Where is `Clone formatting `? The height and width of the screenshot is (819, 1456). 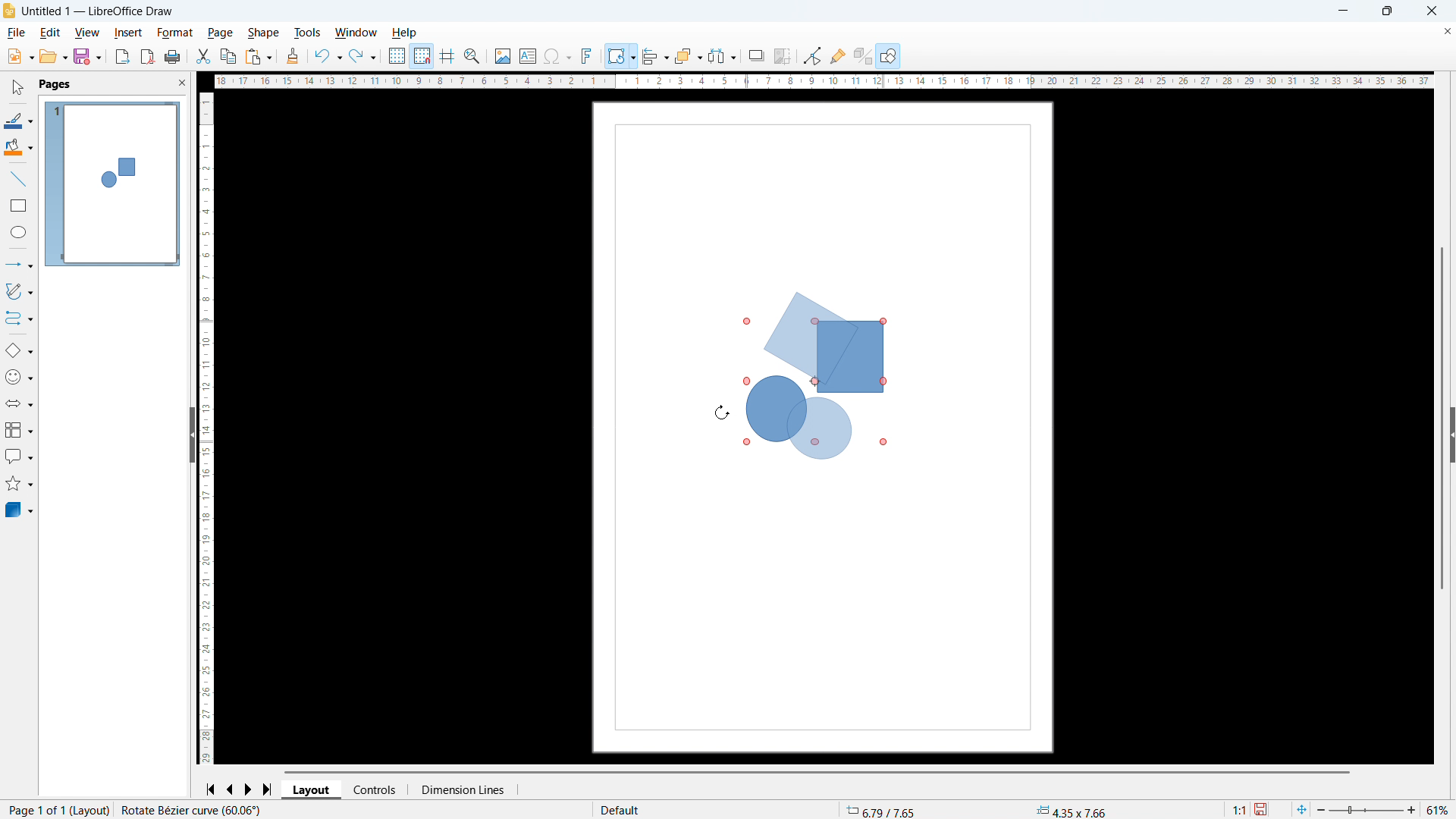
Clone formatting  is located at coordinates (293, 56).